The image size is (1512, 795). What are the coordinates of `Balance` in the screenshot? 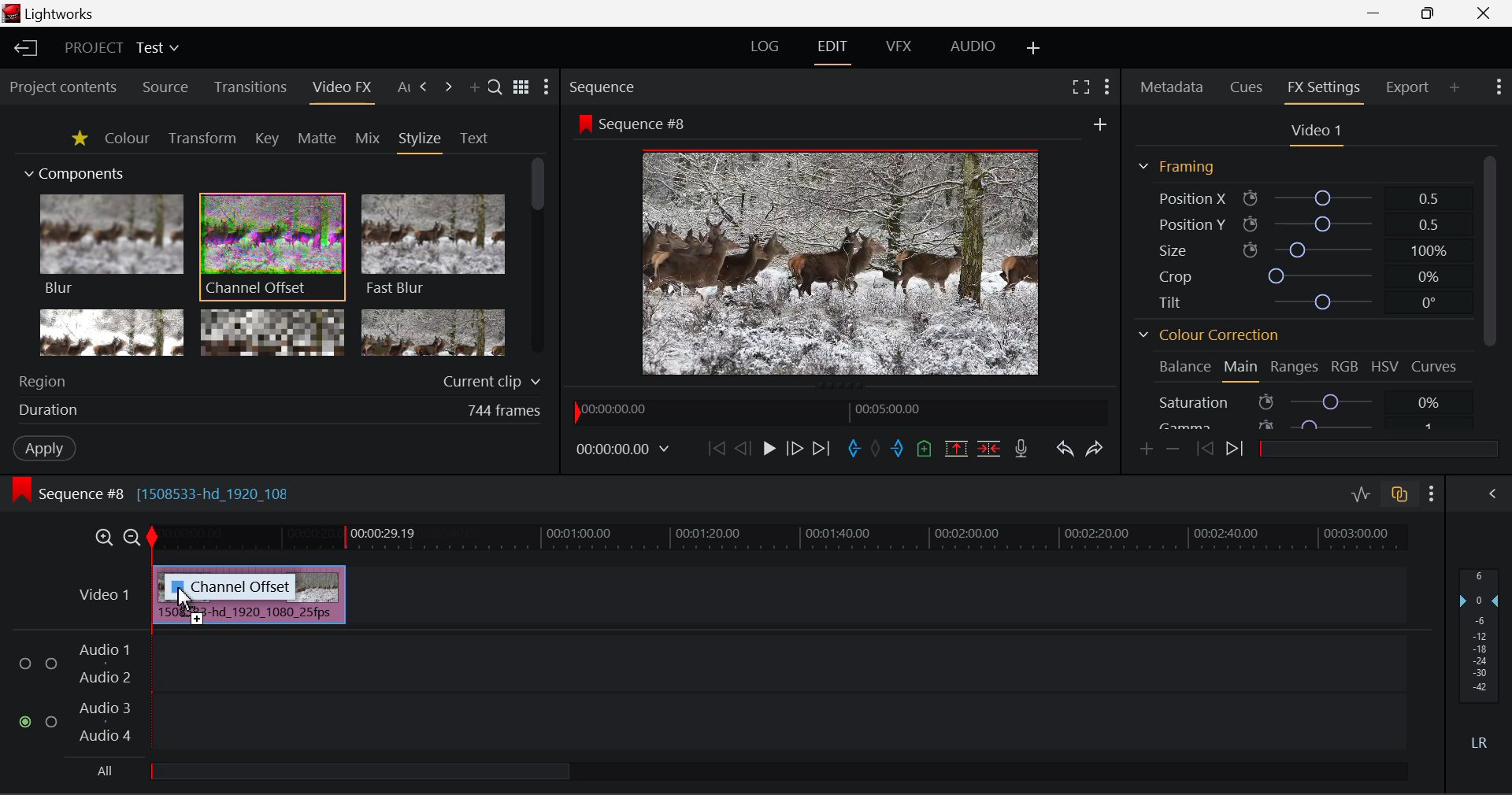 It's located at (1184, 364).